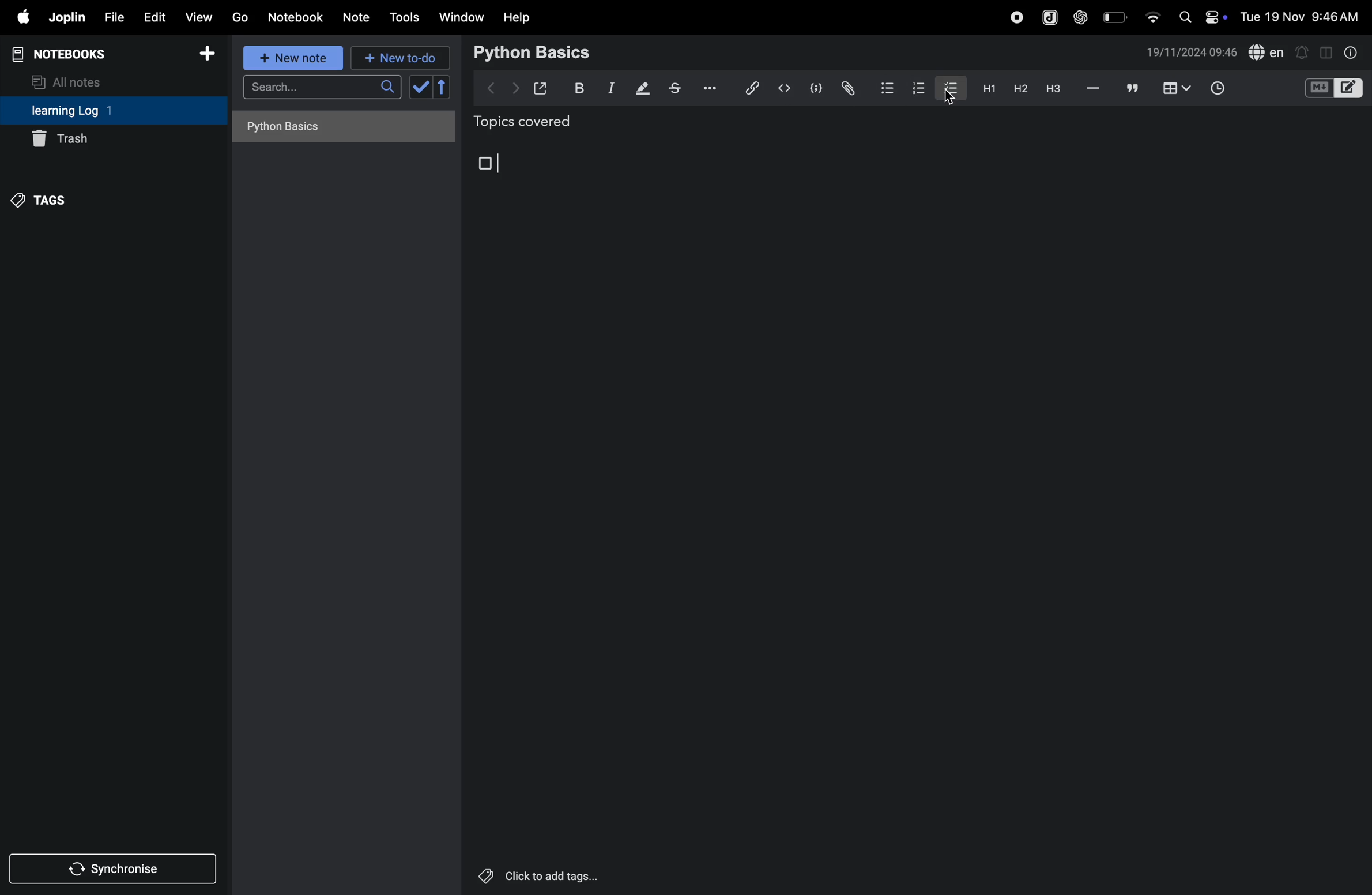  Describe the element at coordinates (402, 17) in the screenshot. I see `tools` at that location.